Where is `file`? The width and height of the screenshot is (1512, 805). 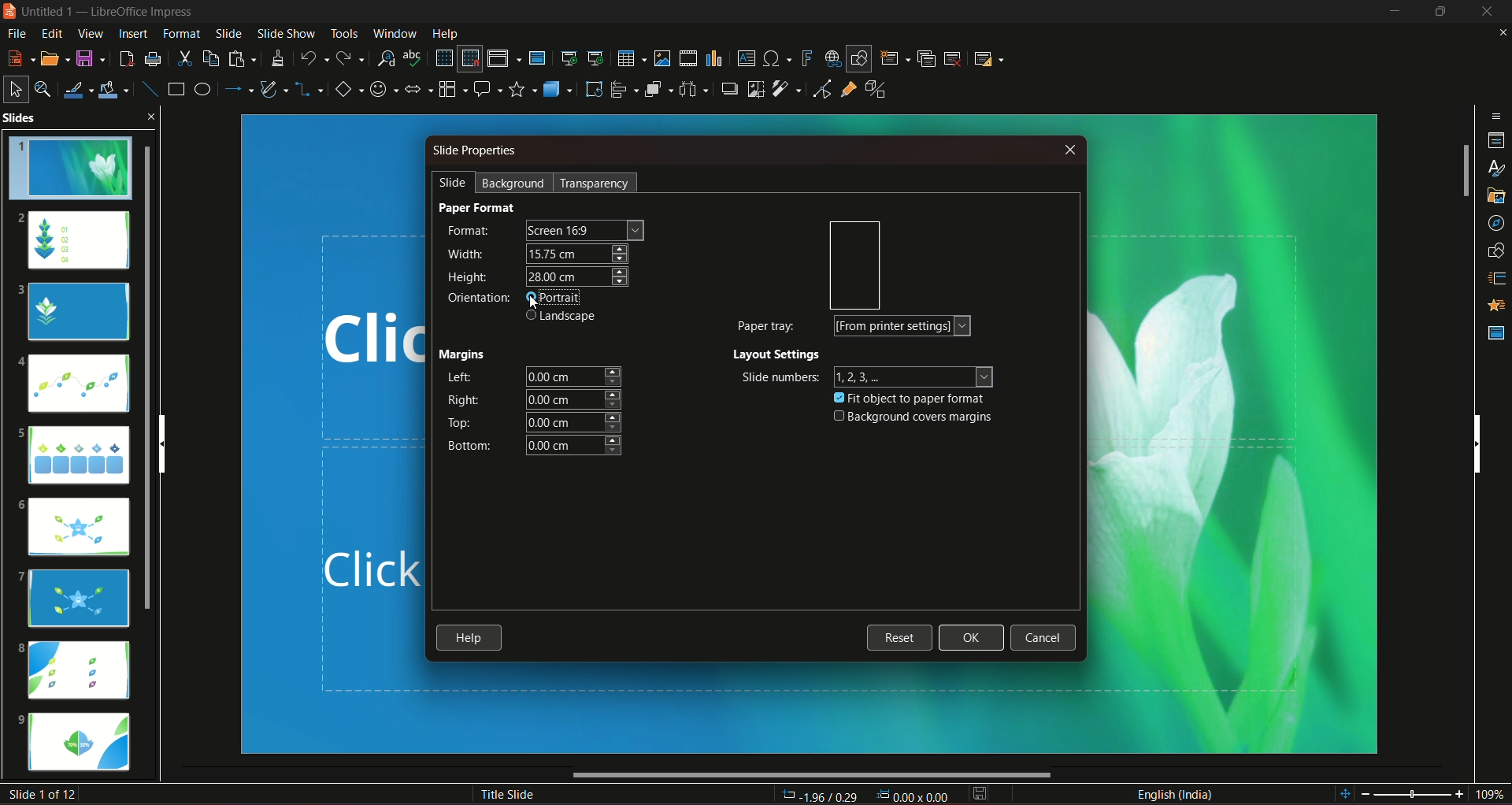 file is located at coordinates (18, 33).